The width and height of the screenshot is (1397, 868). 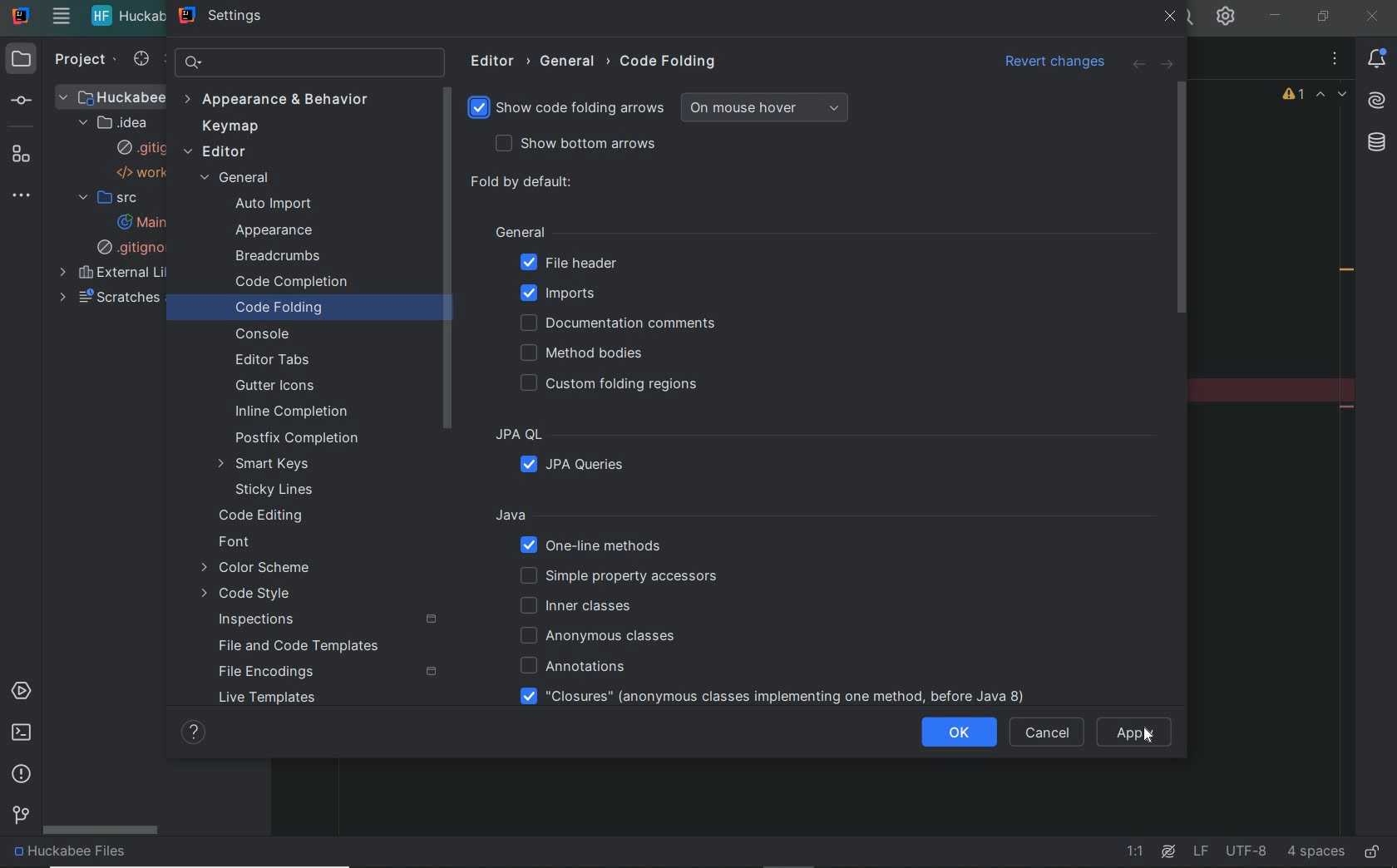 I want to click on on mouse hover, so click(x=763, y=109).